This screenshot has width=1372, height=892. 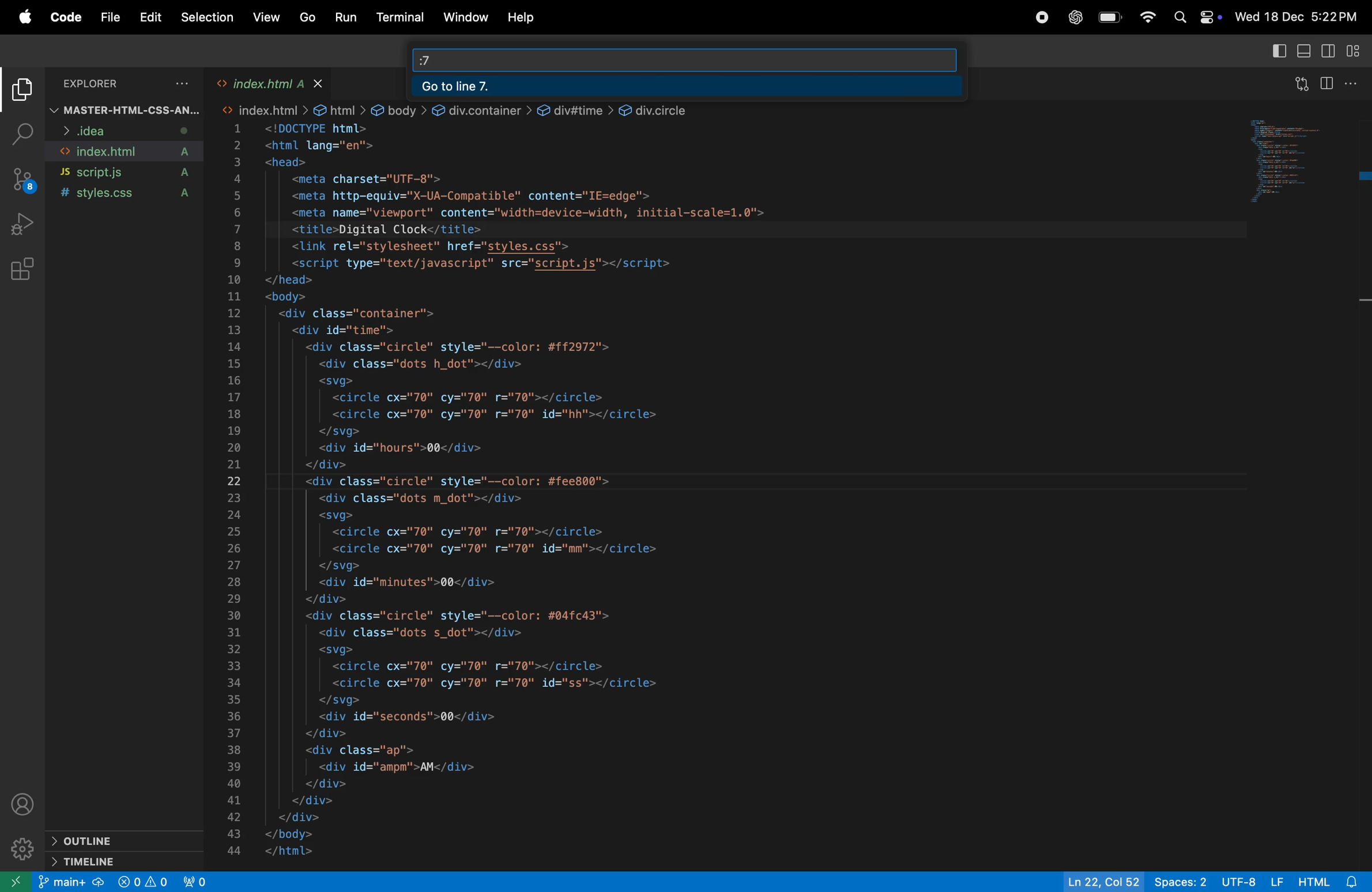 What do you see at coordinates (266, 108) in the screenshot?
I see `link` at bounding box center [266, 108].